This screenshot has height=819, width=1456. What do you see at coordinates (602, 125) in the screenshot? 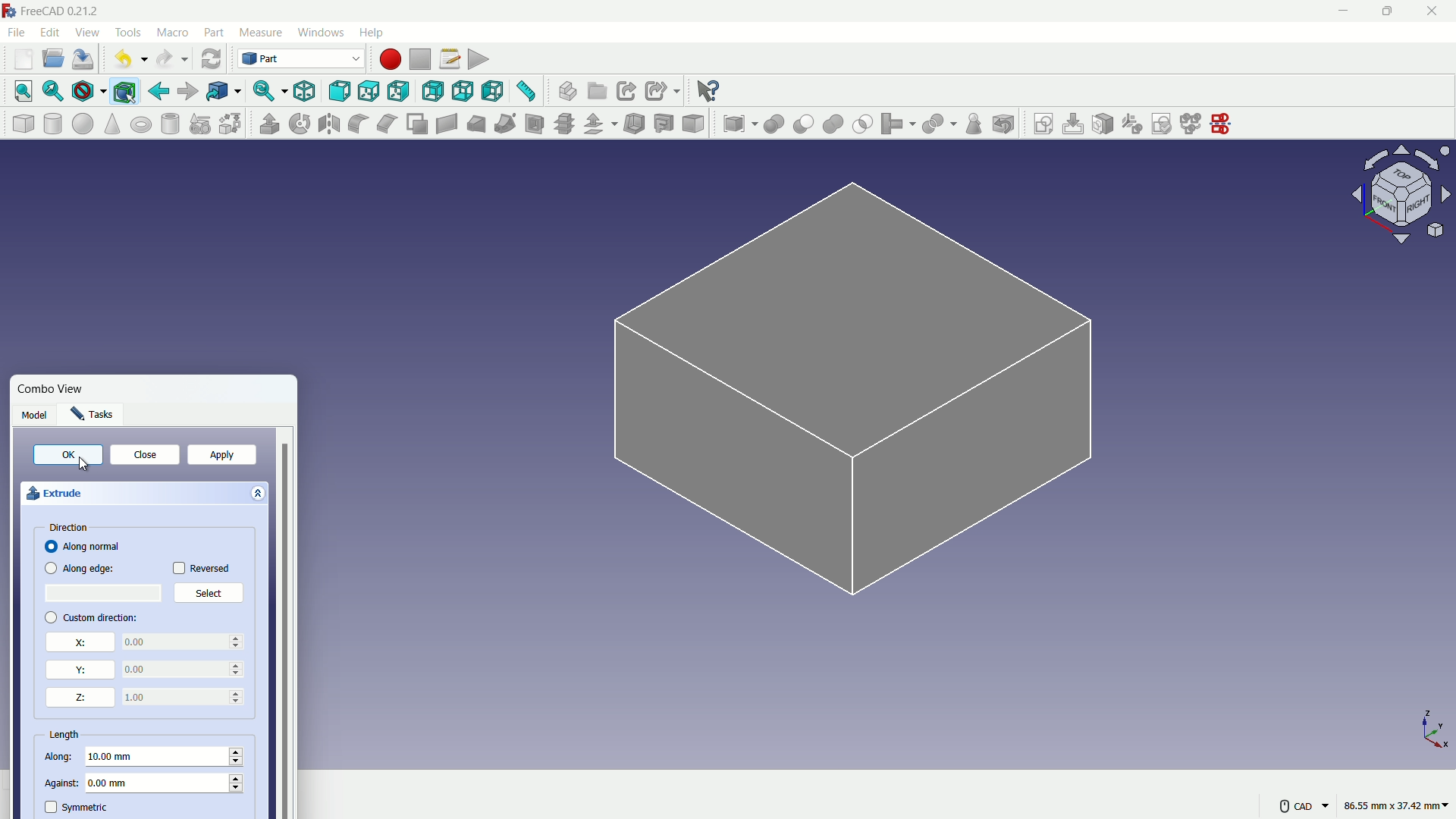
I see `offset` at bounding box center [602, 125].